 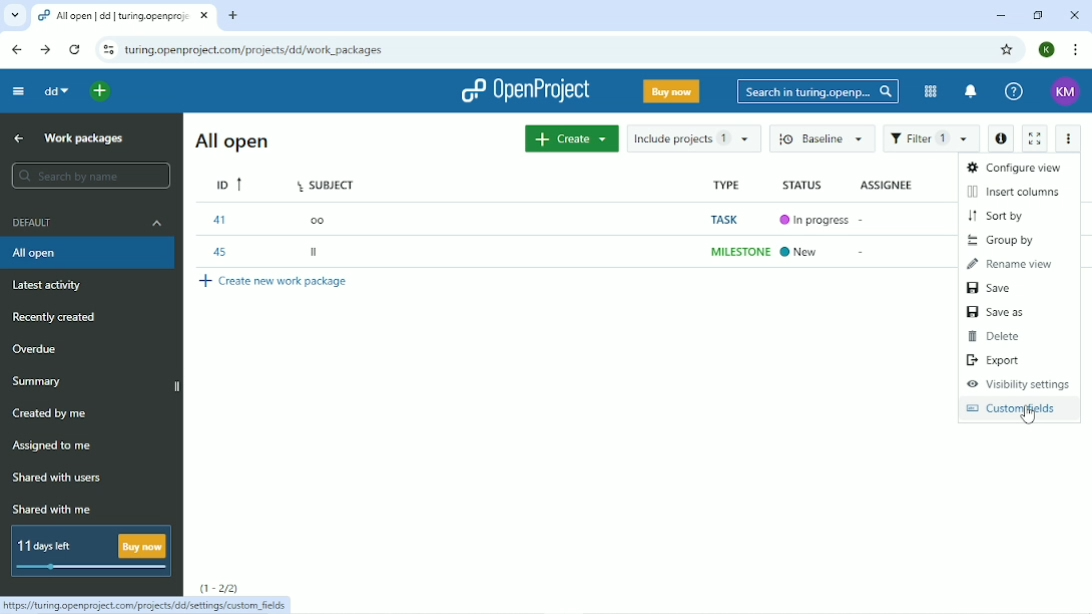 What do you see at coordinates (530, 91) in the screenshot?
I see `OpenProject` at bounding box center [530, 91].